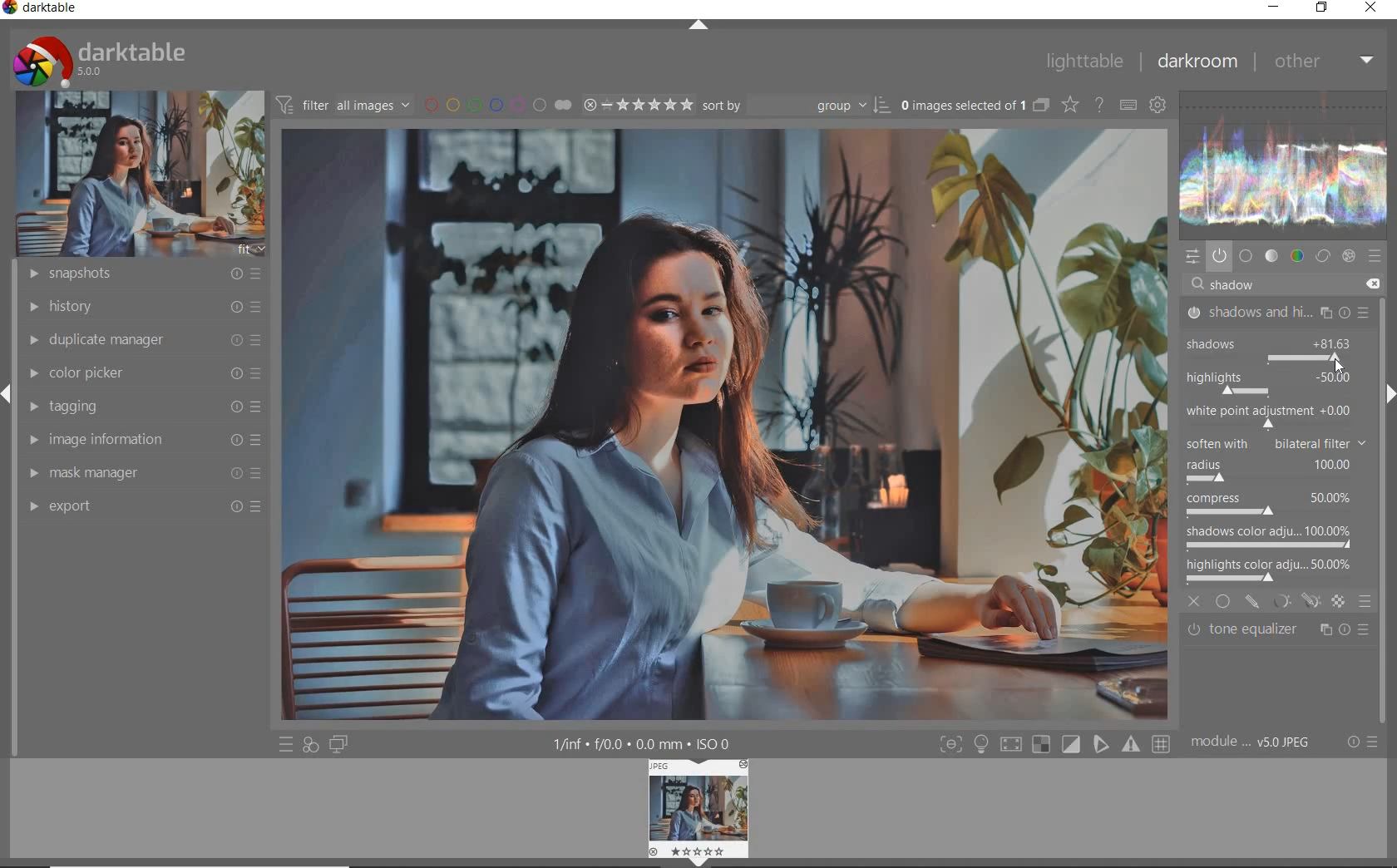  What do you see at coordinates (1099, 106) in the screenshot?
I see `enable for online help` at bounding box center [1099, 106].